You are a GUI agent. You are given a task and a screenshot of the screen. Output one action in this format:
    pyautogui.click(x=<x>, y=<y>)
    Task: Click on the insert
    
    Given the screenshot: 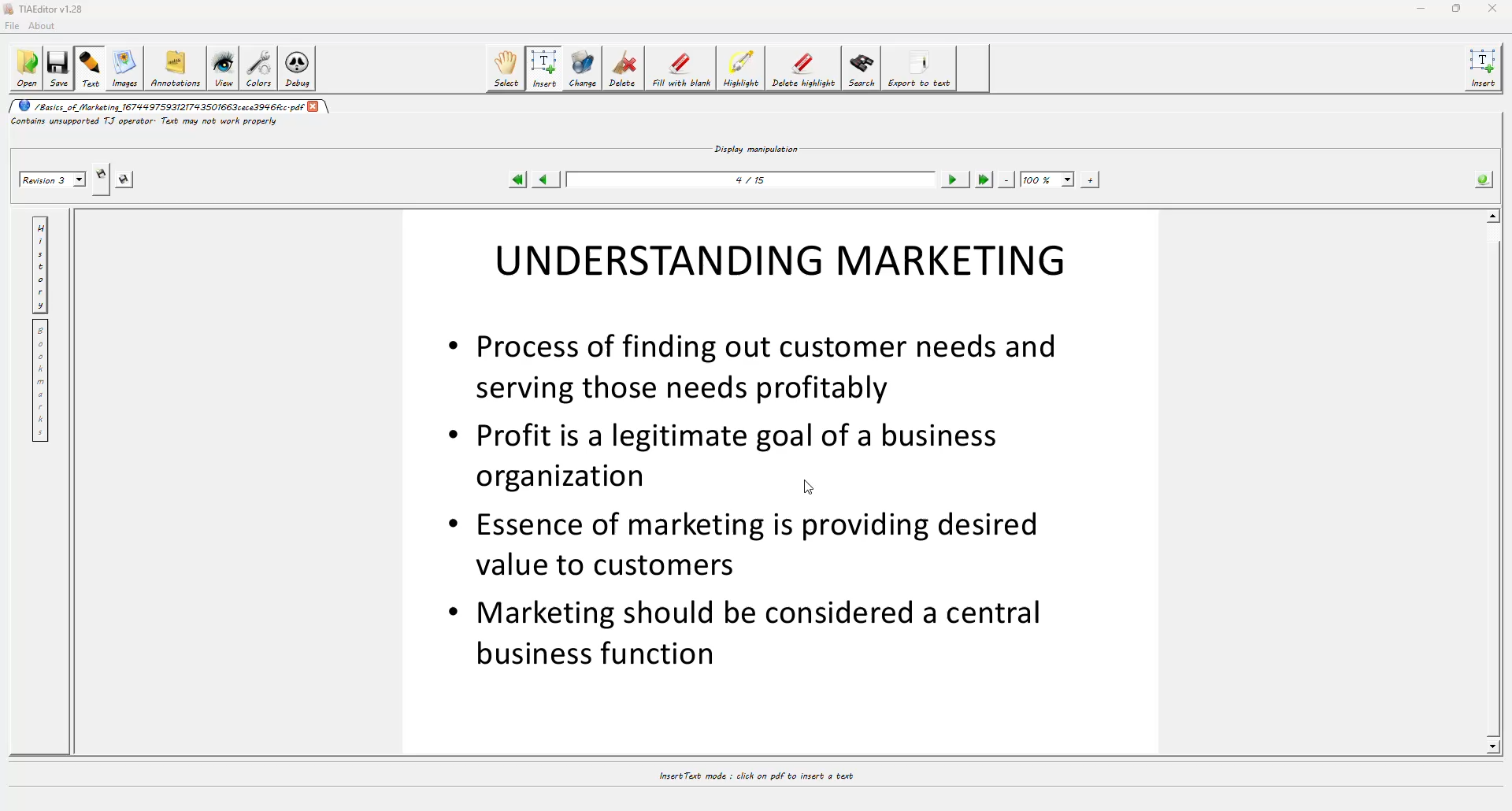 What is the action you would take?
    pyautogui.click(x=1485, y=69)
    